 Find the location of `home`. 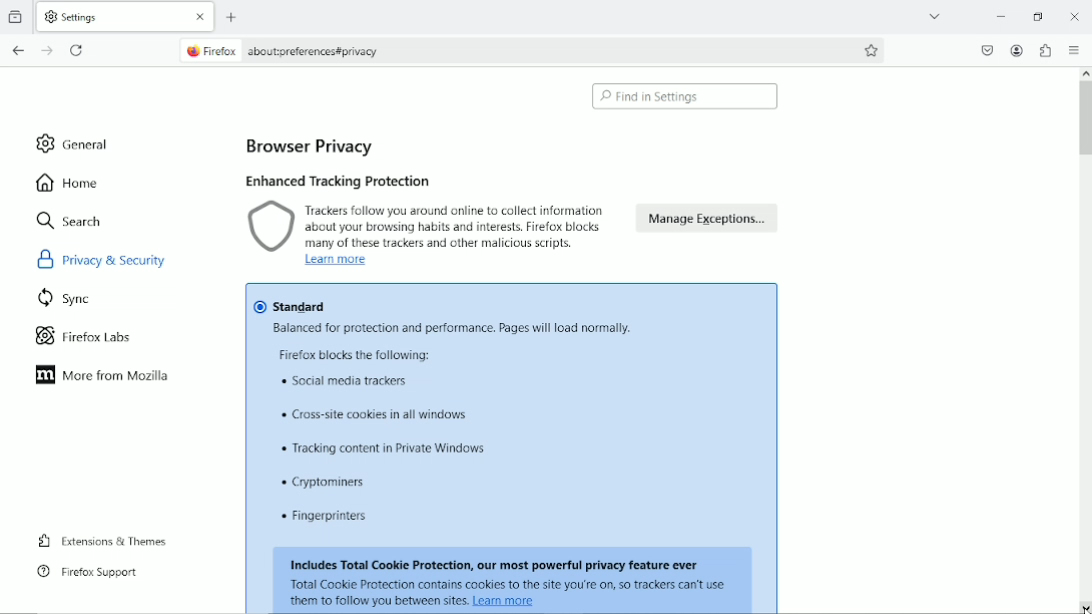

home is located at coordinates (67, 183).